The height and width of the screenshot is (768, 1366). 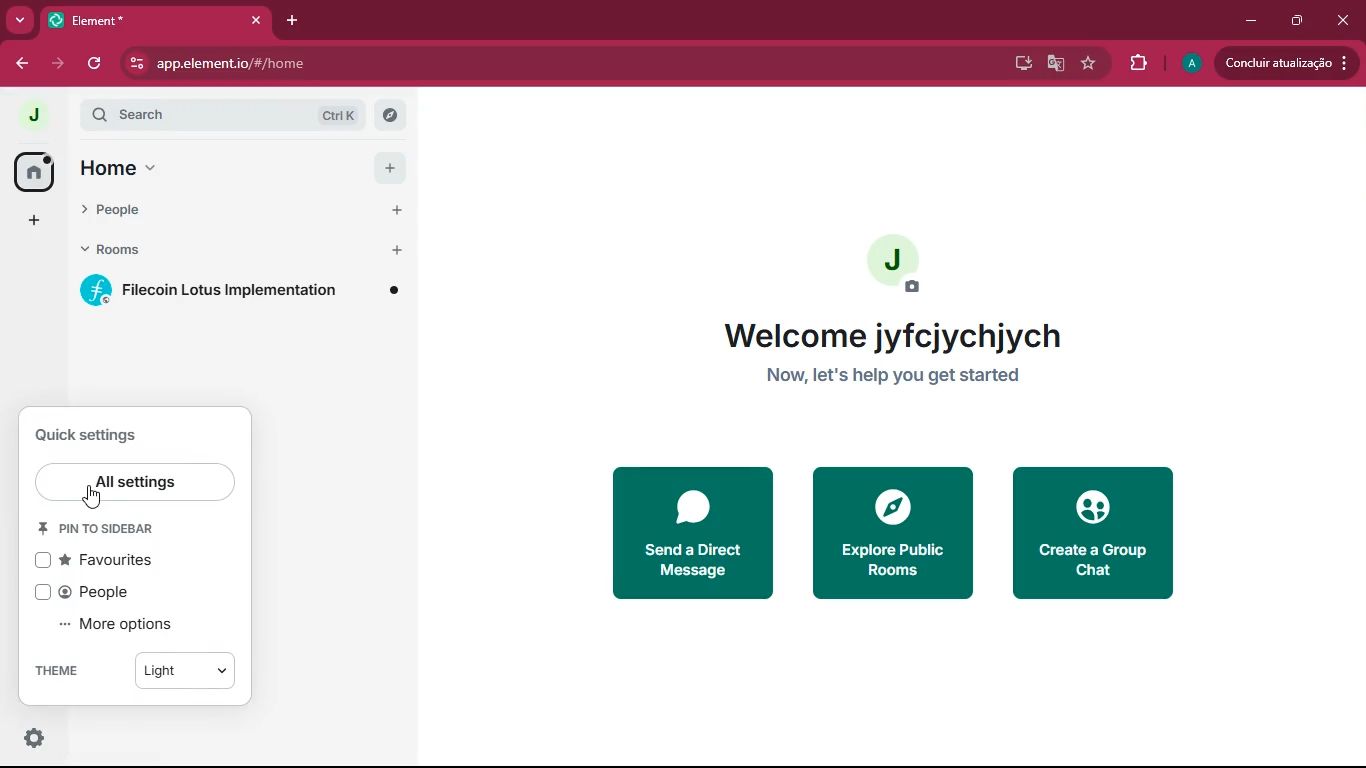 What do you see at coordinates (1293, 21) in the screenshot?
I see `maximize` at bounding box center [1293, 21].